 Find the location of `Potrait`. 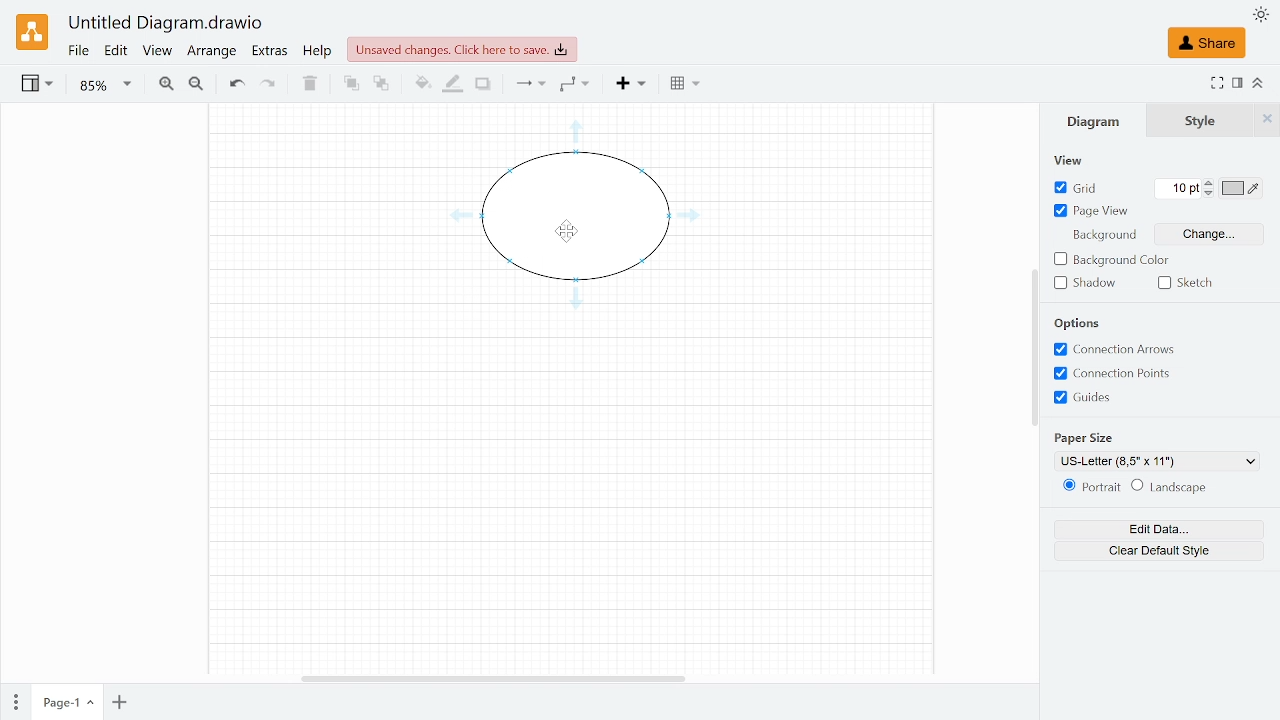

Potrait is located at coordinates (1090, 486).